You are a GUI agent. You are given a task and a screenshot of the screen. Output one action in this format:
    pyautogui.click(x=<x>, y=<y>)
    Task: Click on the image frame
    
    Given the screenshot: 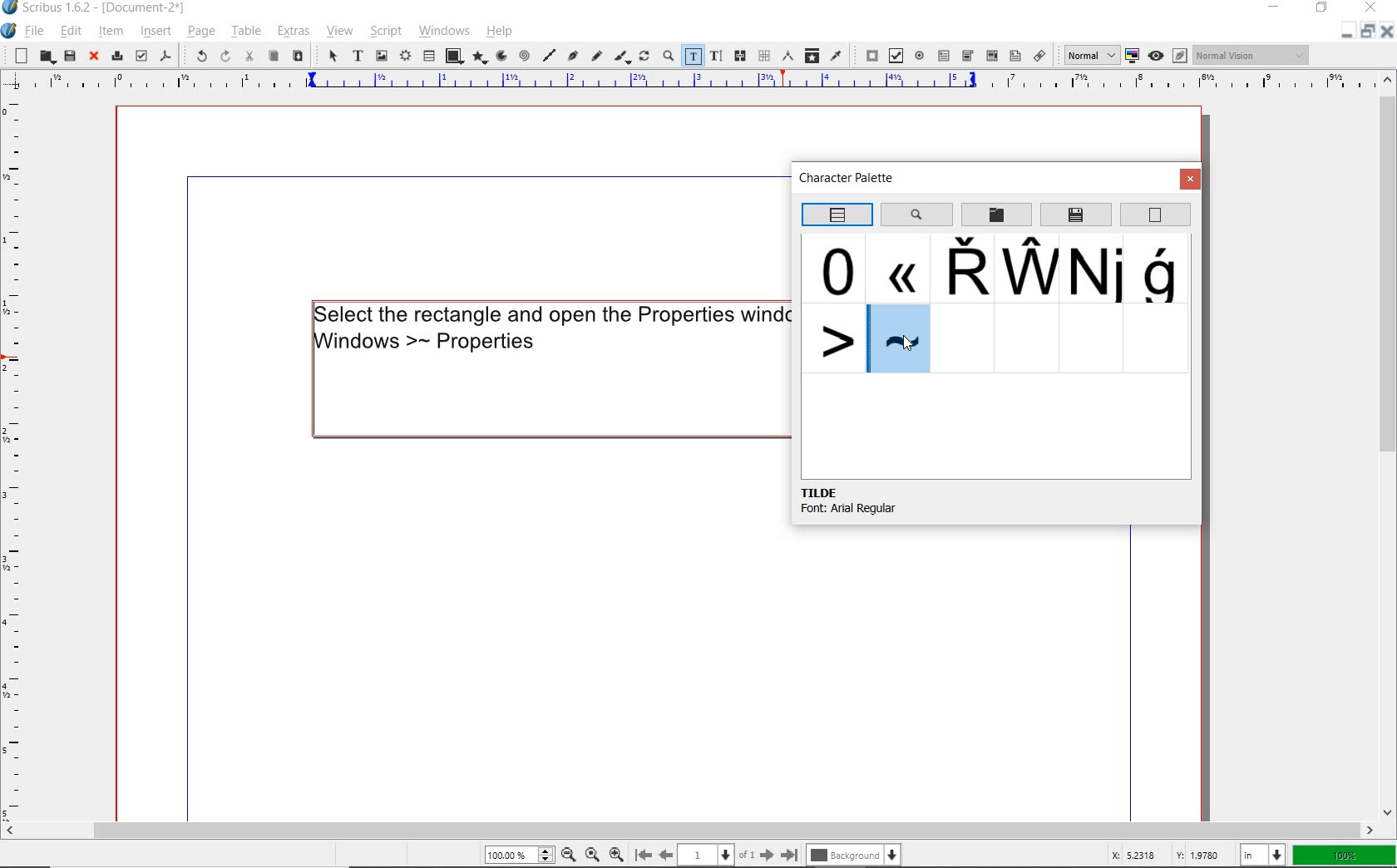 What is the action you would take?
    pyautogui.click(x=381, y=57)
    